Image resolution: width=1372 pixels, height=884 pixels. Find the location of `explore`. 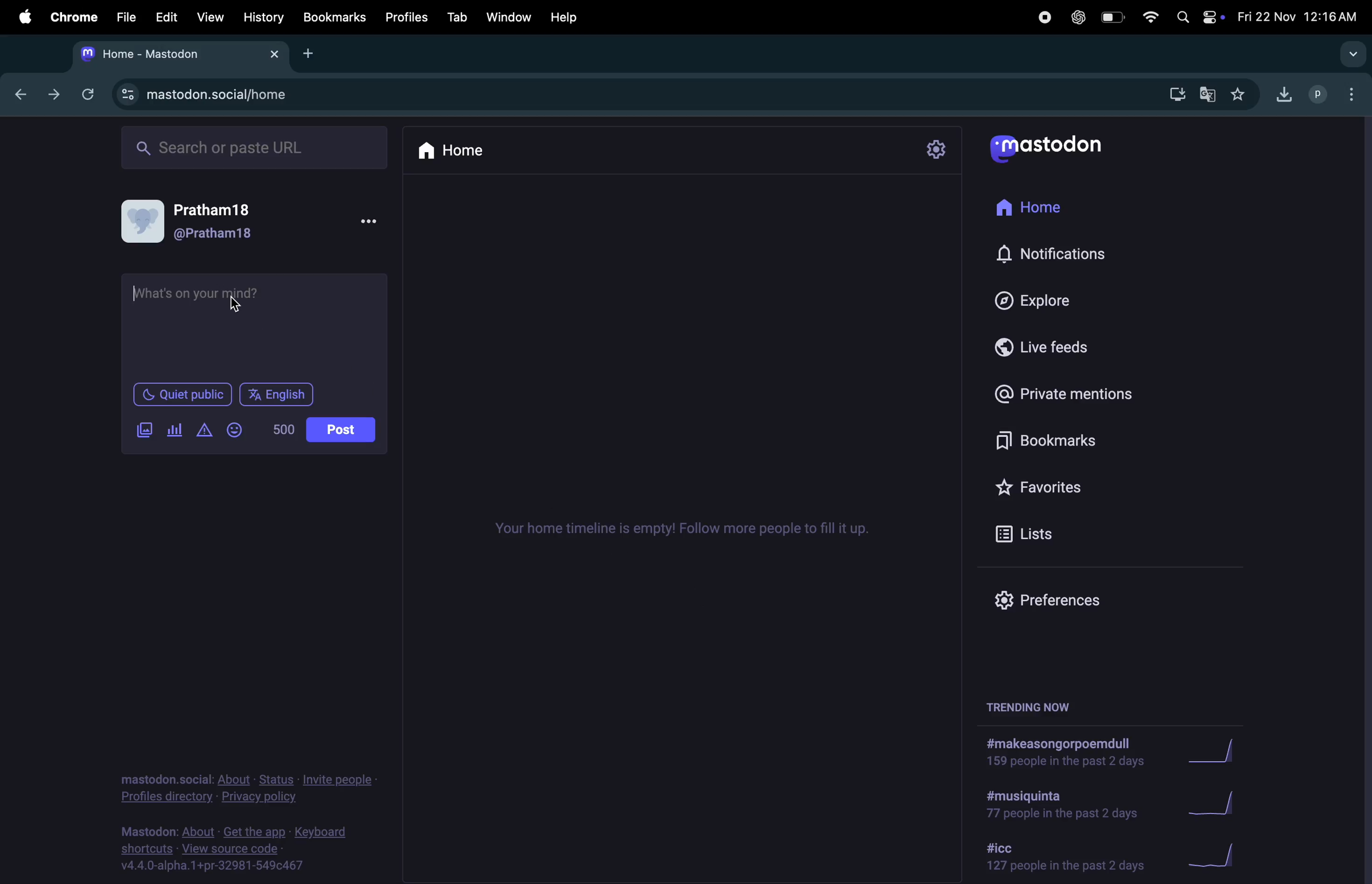

explore is located at coordinates (1030, 298).